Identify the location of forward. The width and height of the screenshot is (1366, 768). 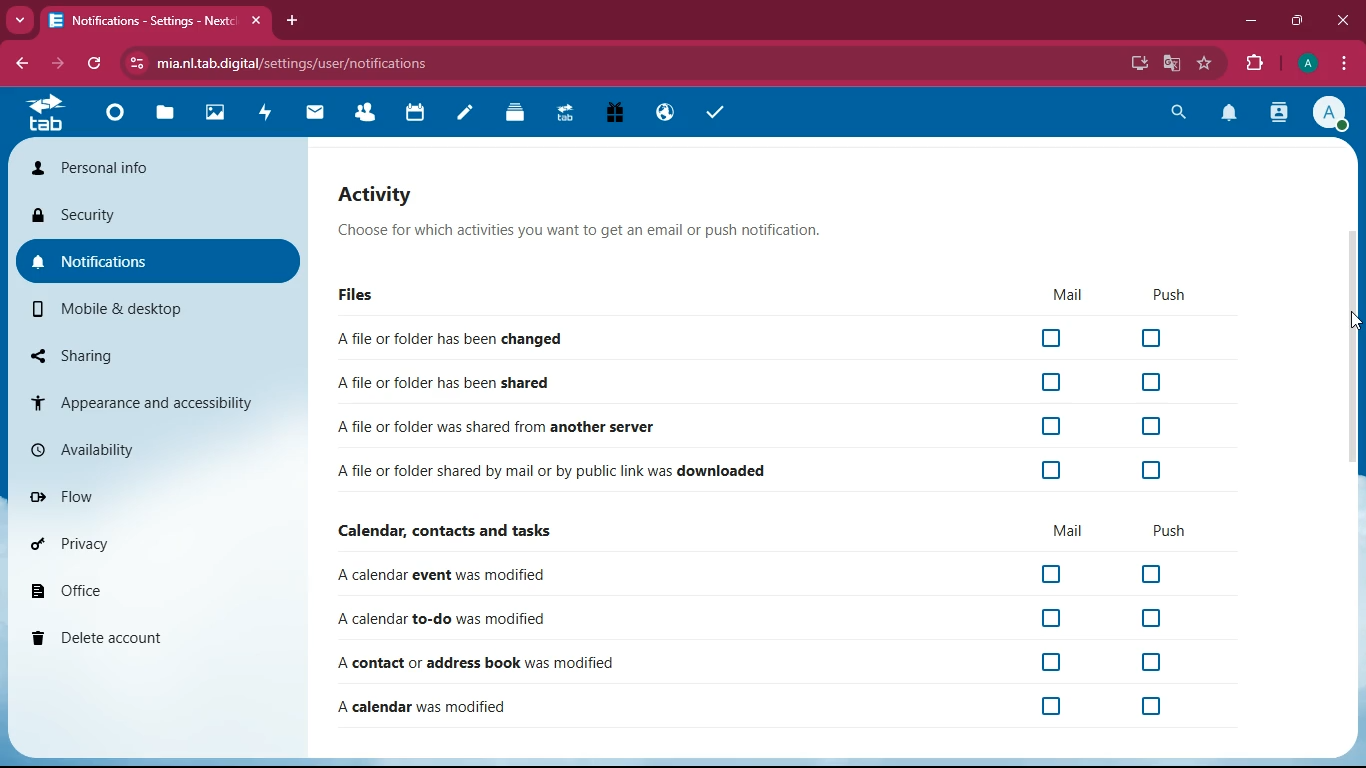
(58, 62).